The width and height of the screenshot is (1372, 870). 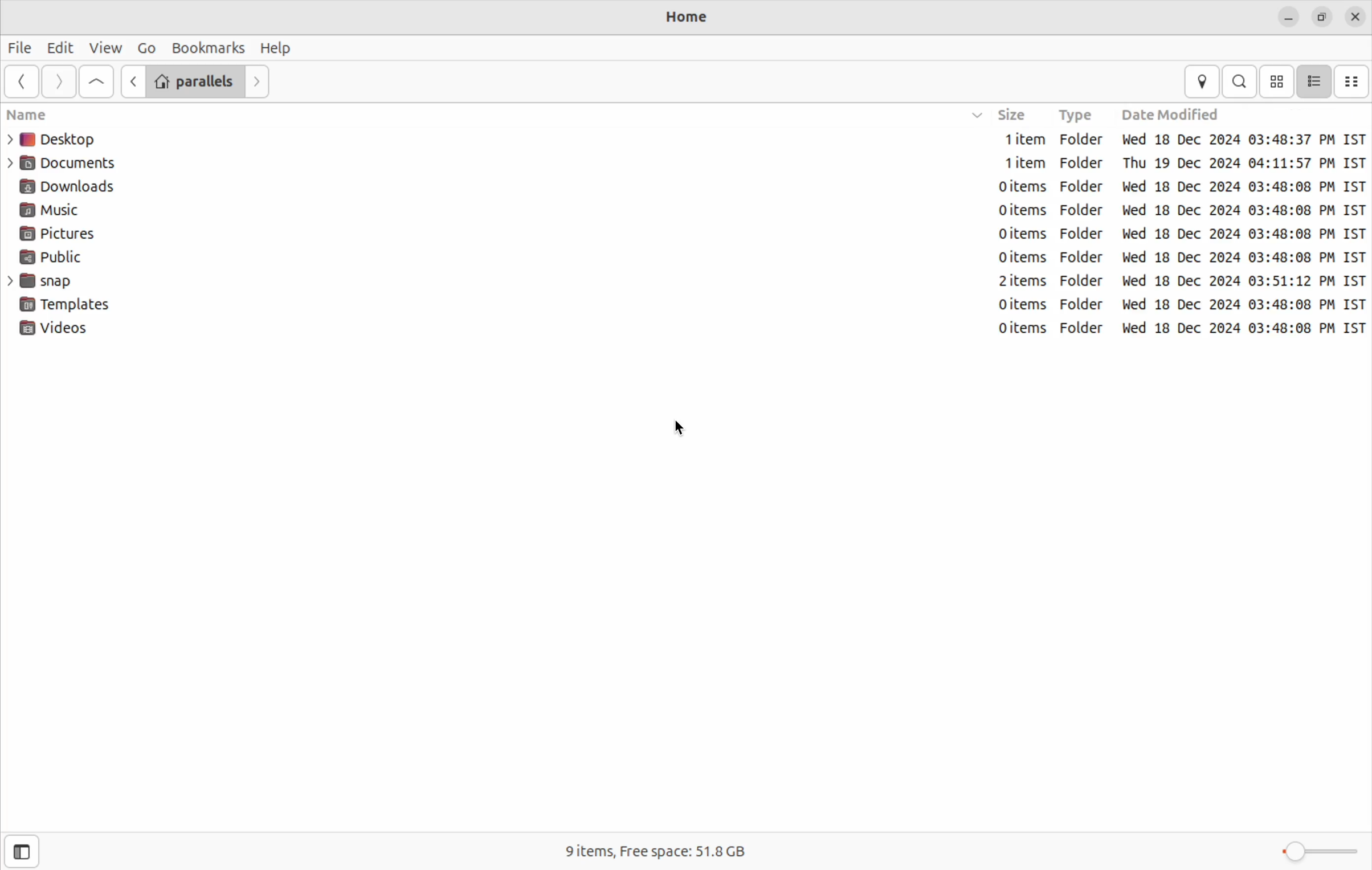 What do you see at coordinates (1003, 211) in the screenshot?
I see `0 items` at bounding box center [1003, 211].